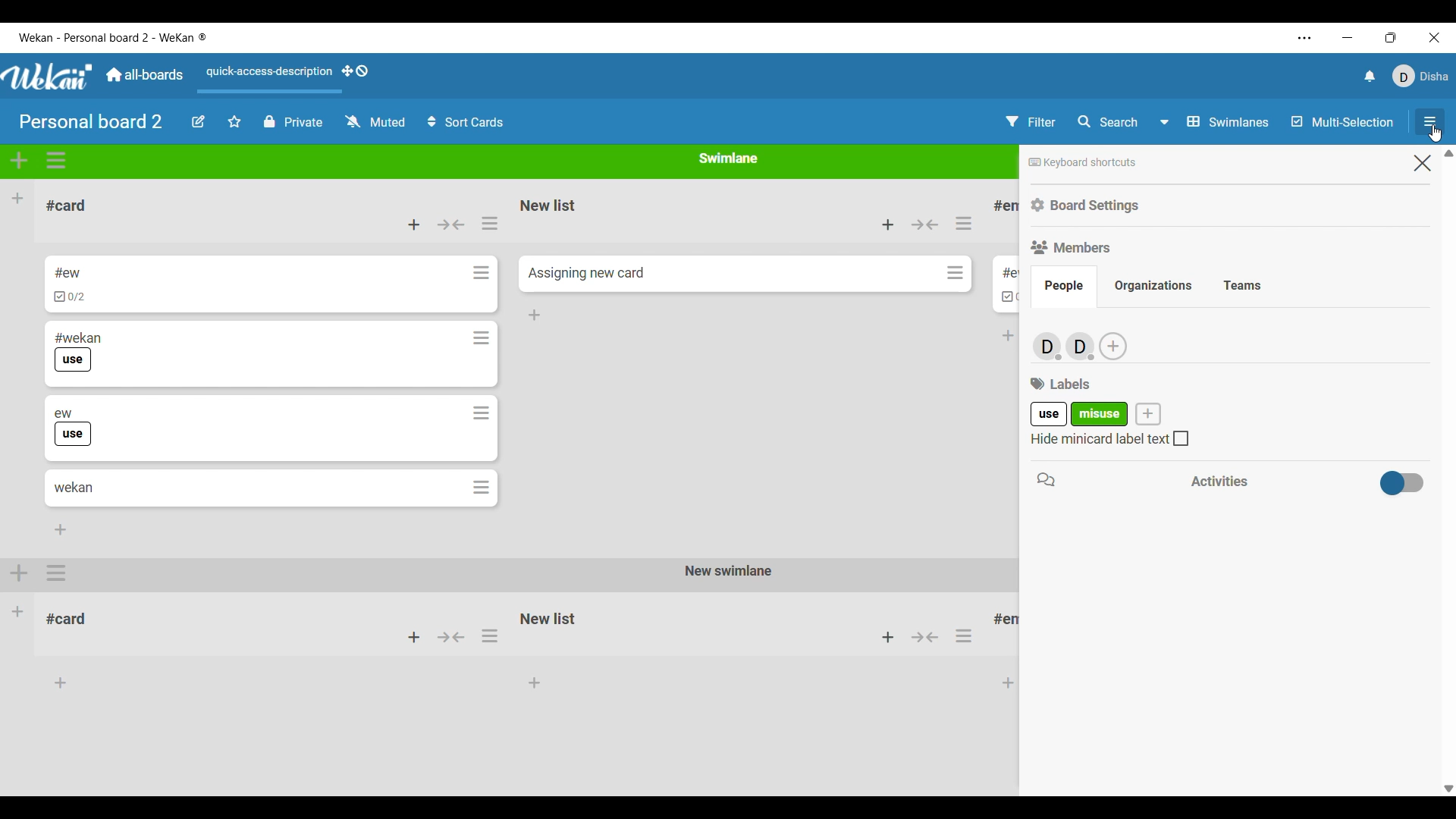 The image size is (1456, 819). I want to click on Collapse, so click(925, 224).